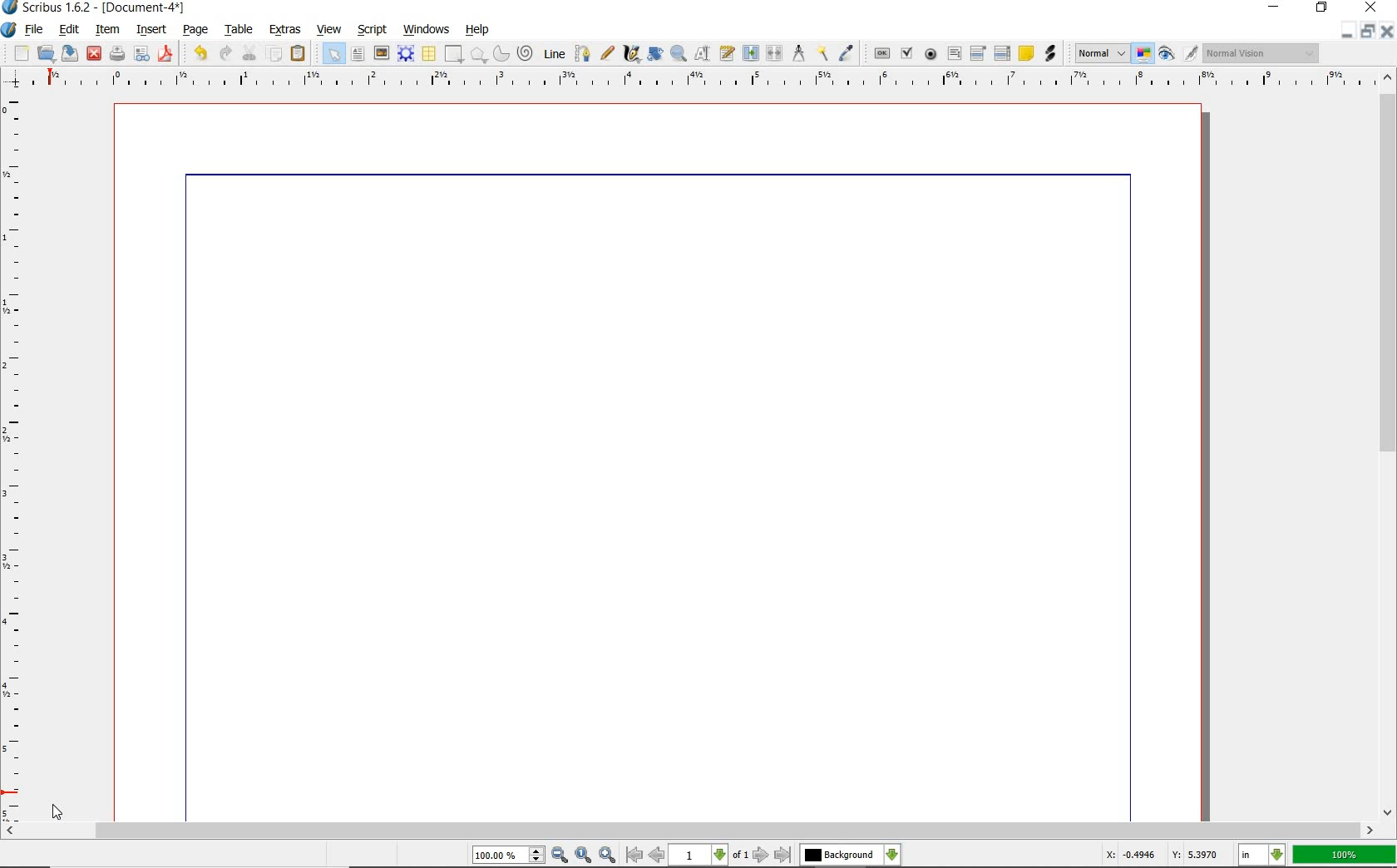 Image resolution: width=1397 pixels, height=868 pixels. Describe the element at coordinates (426, 28) in the screenshot. I see `windows` at that location.